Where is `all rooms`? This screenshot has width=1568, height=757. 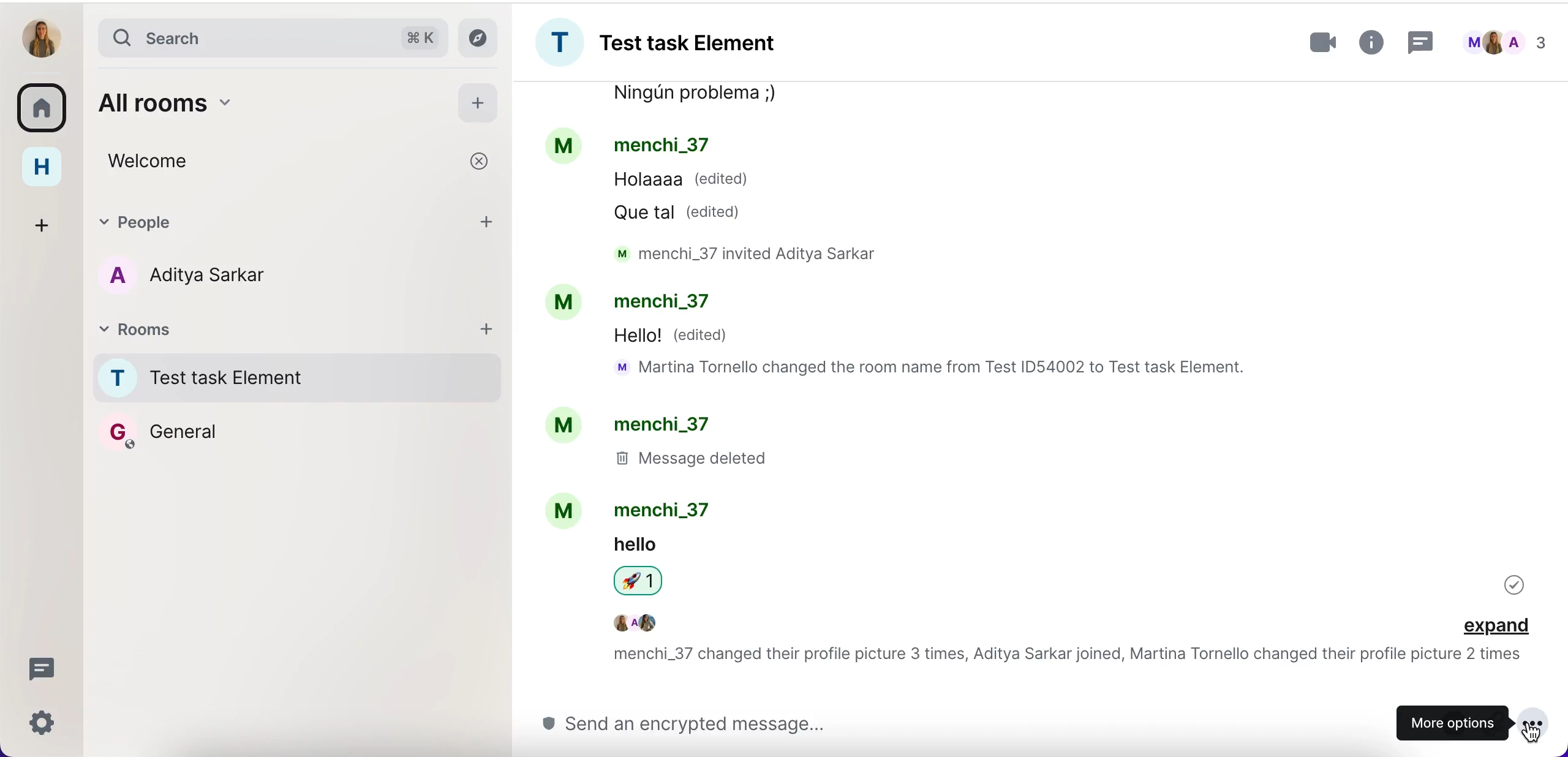 all rooms is located at coordinates (229, 101).